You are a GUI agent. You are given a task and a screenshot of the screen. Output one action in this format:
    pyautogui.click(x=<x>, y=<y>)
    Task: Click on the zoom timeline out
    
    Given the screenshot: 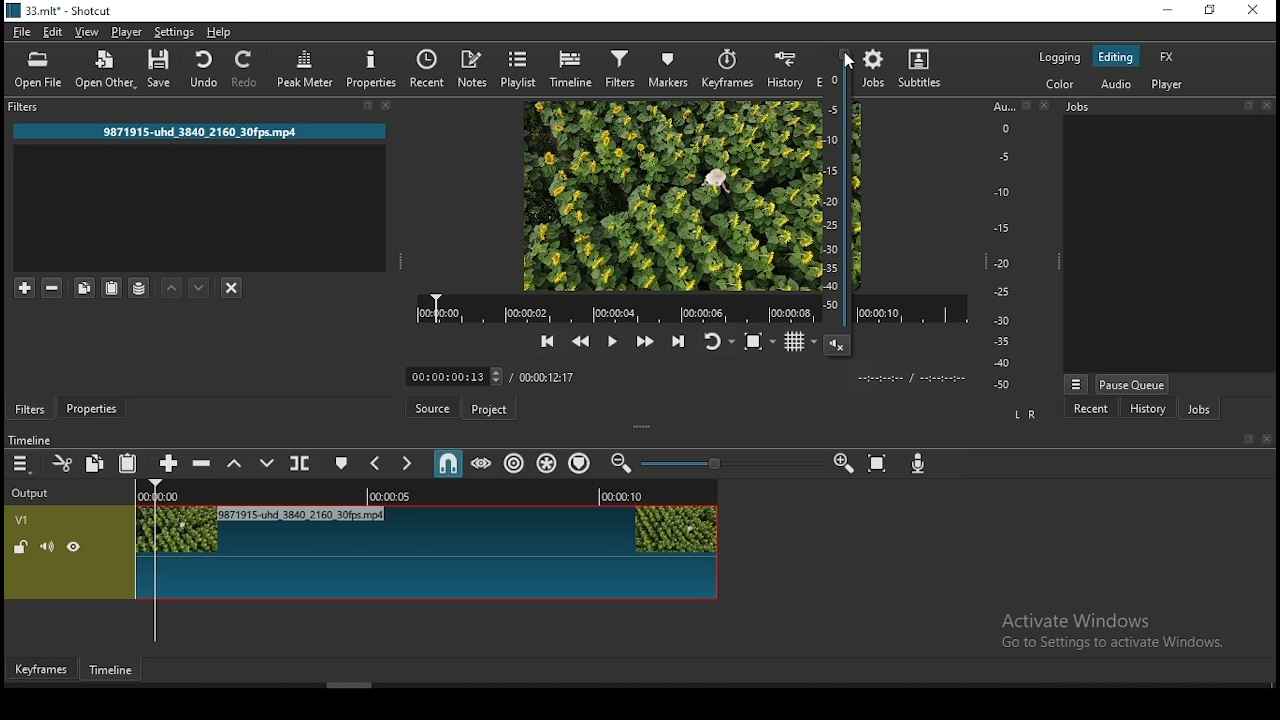 What is the action you would take?
    pyautogui.click(x=621, y=462)
    